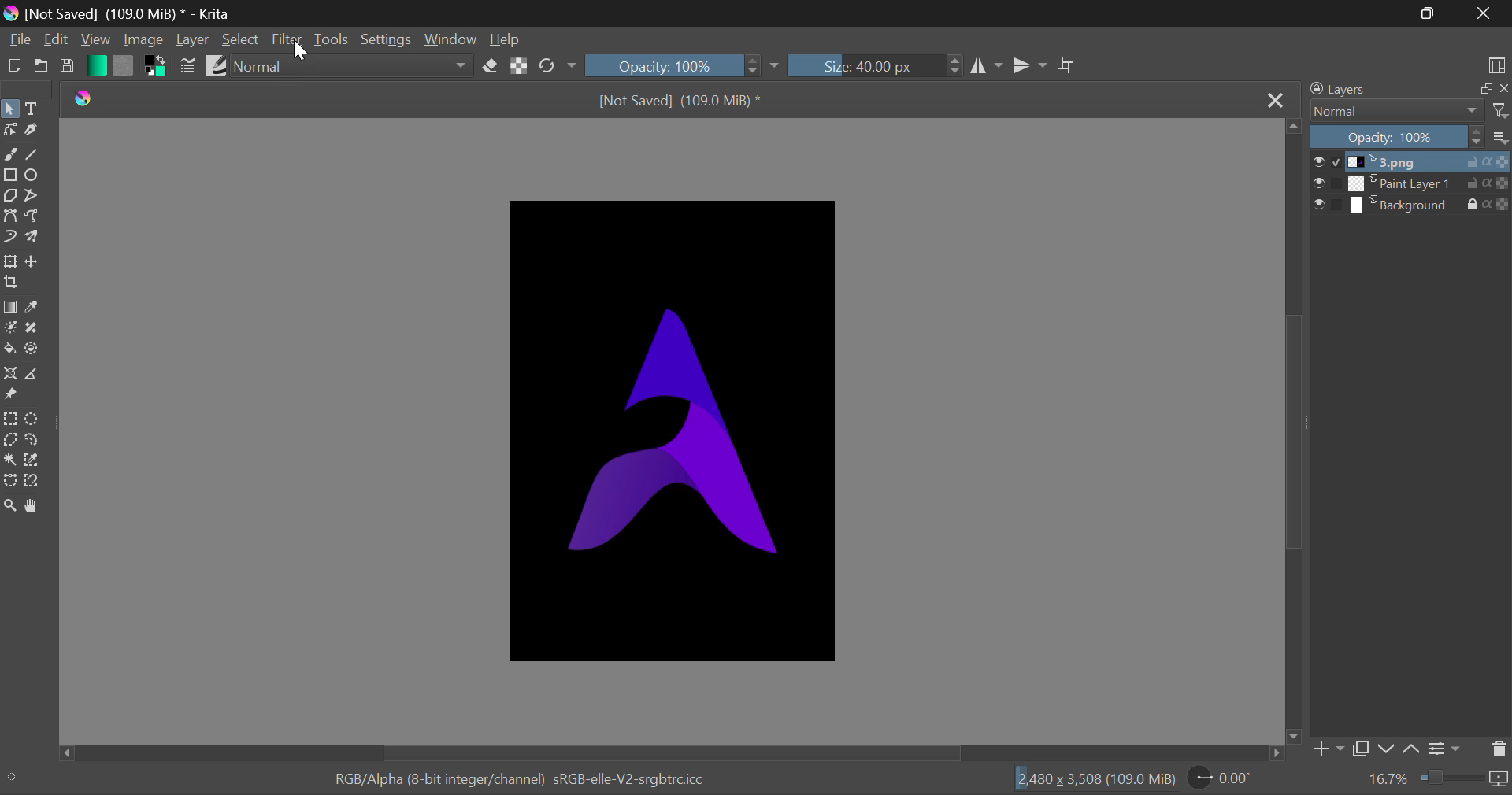  What do you see at coordinates (13, 508) in the screenshot?
I see `Zoom` at bounding box center [13, 508].